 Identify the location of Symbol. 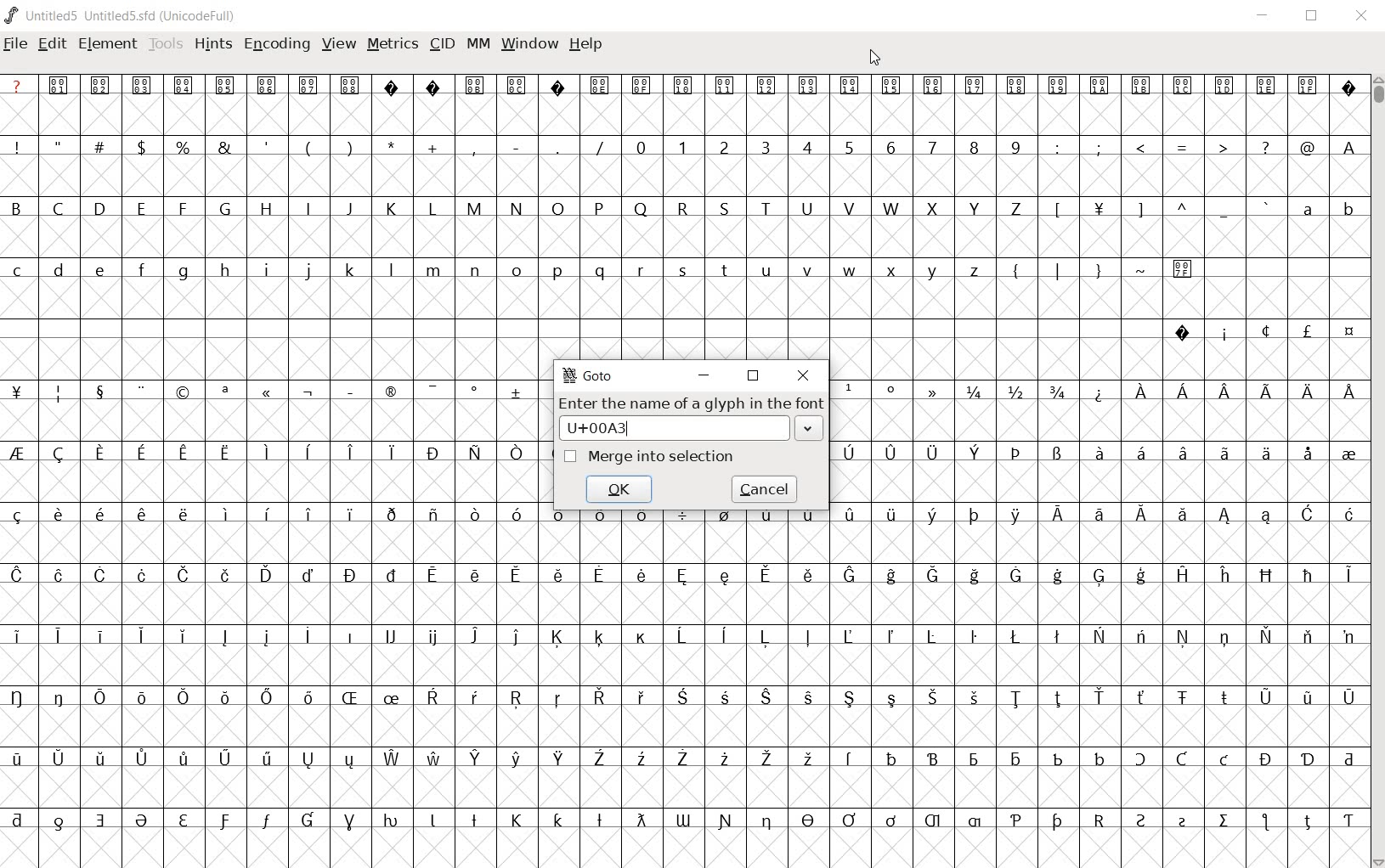
(1183, 821).